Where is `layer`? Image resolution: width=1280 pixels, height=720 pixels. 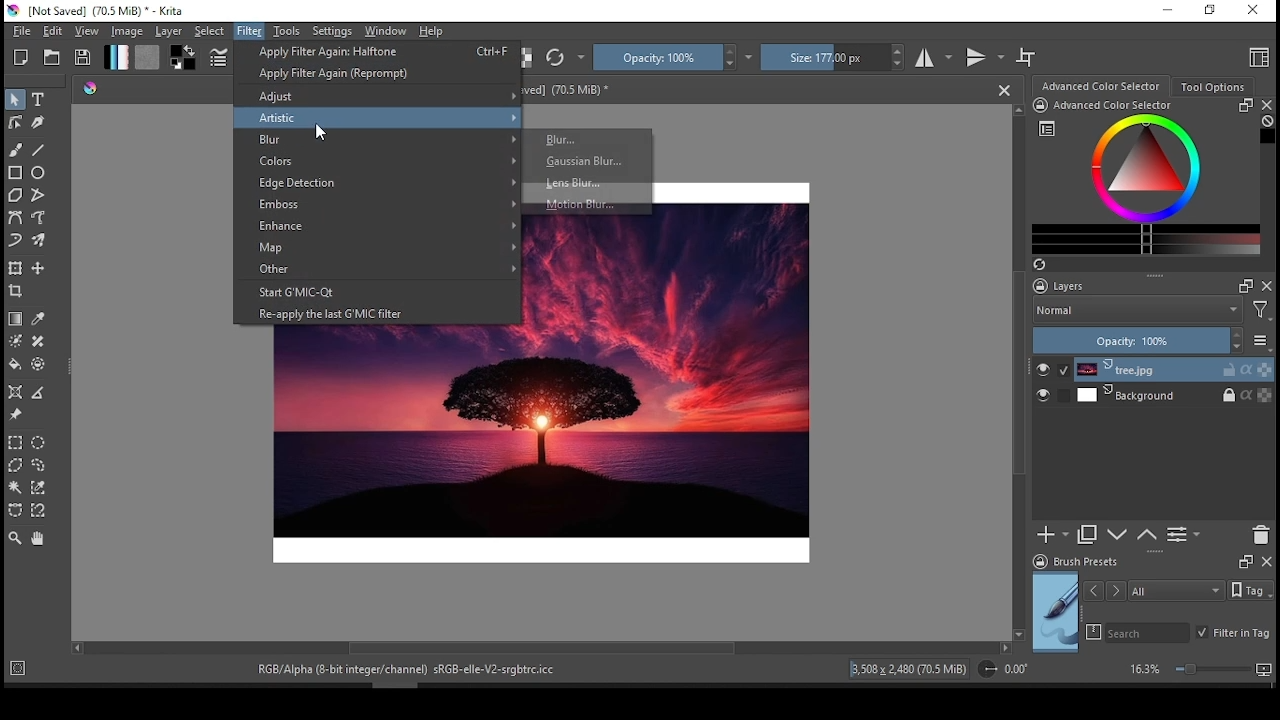 layer is located at coordinates (168, 32).